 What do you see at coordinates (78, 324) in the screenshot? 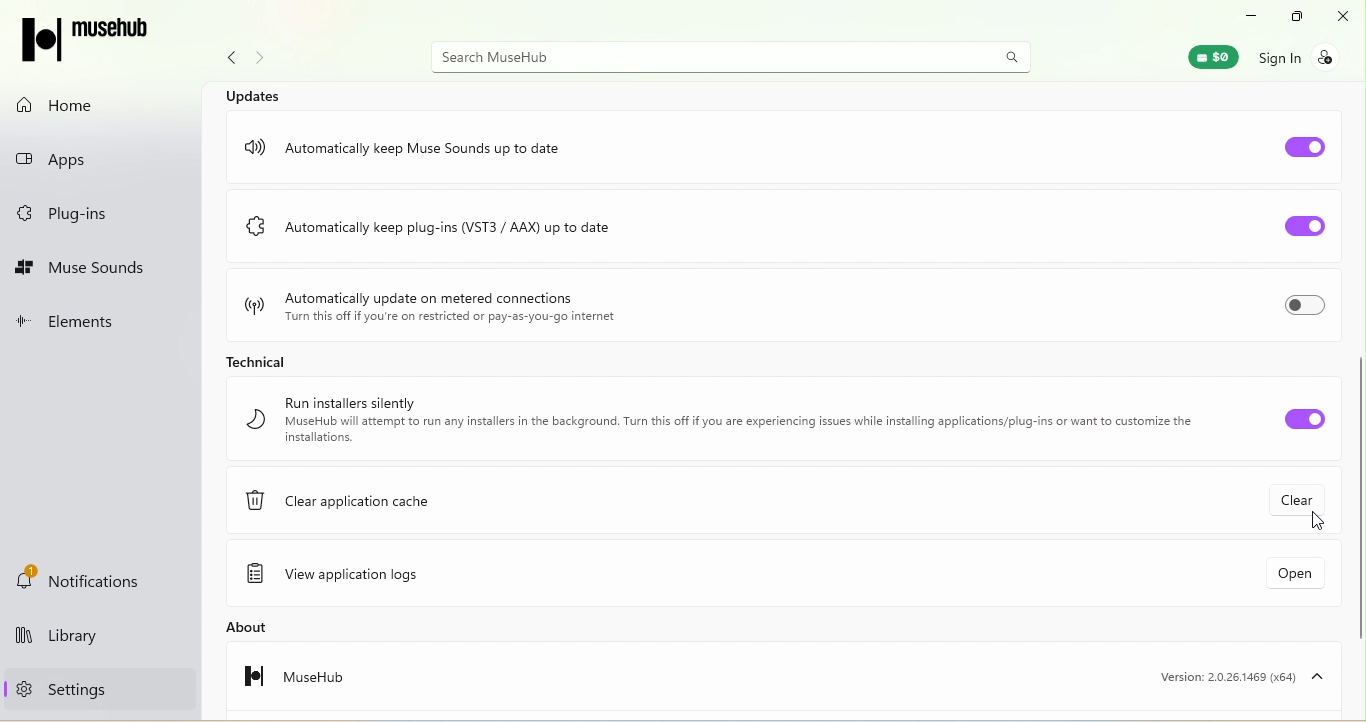
I see `Elements` at bounding box center [78, 324].